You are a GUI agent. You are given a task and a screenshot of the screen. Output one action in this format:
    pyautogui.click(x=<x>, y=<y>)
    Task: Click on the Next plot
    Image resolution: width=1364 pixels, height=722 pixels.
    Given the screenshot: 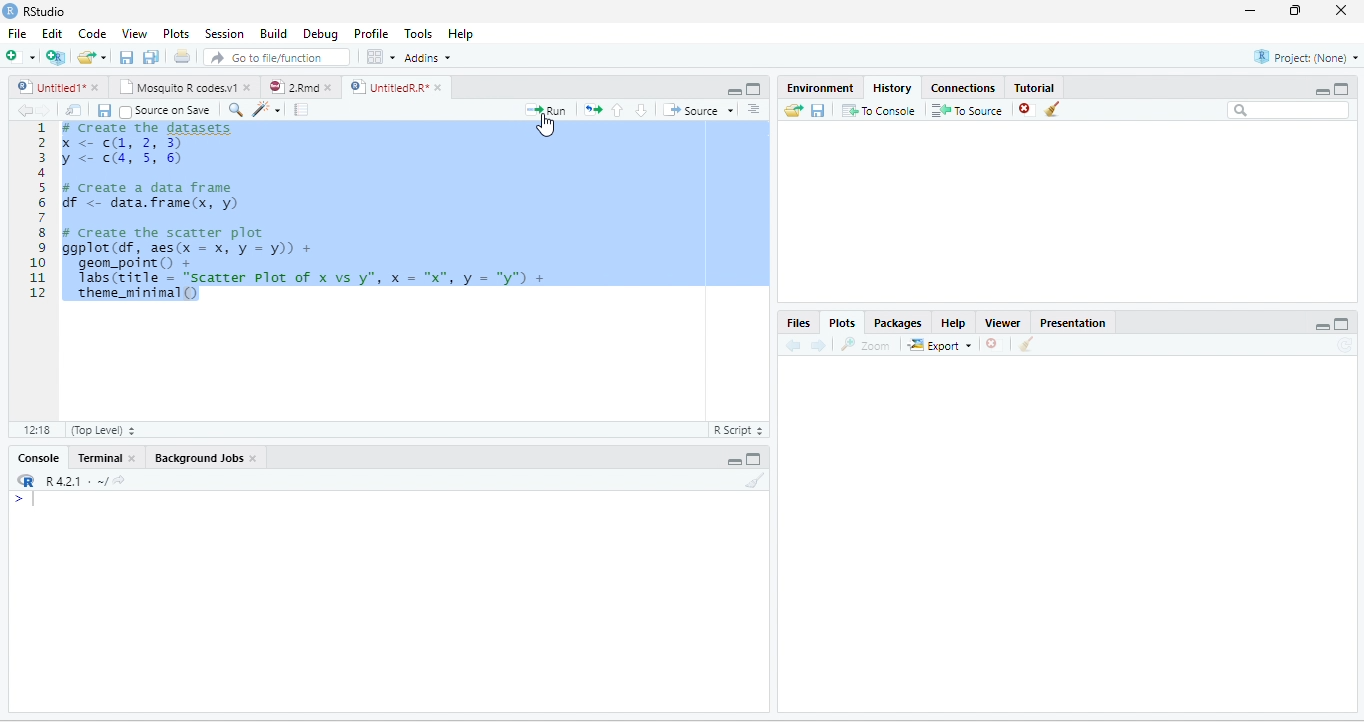 What is the action you would take?
    pyautogui.click(x=818, y=345)
    